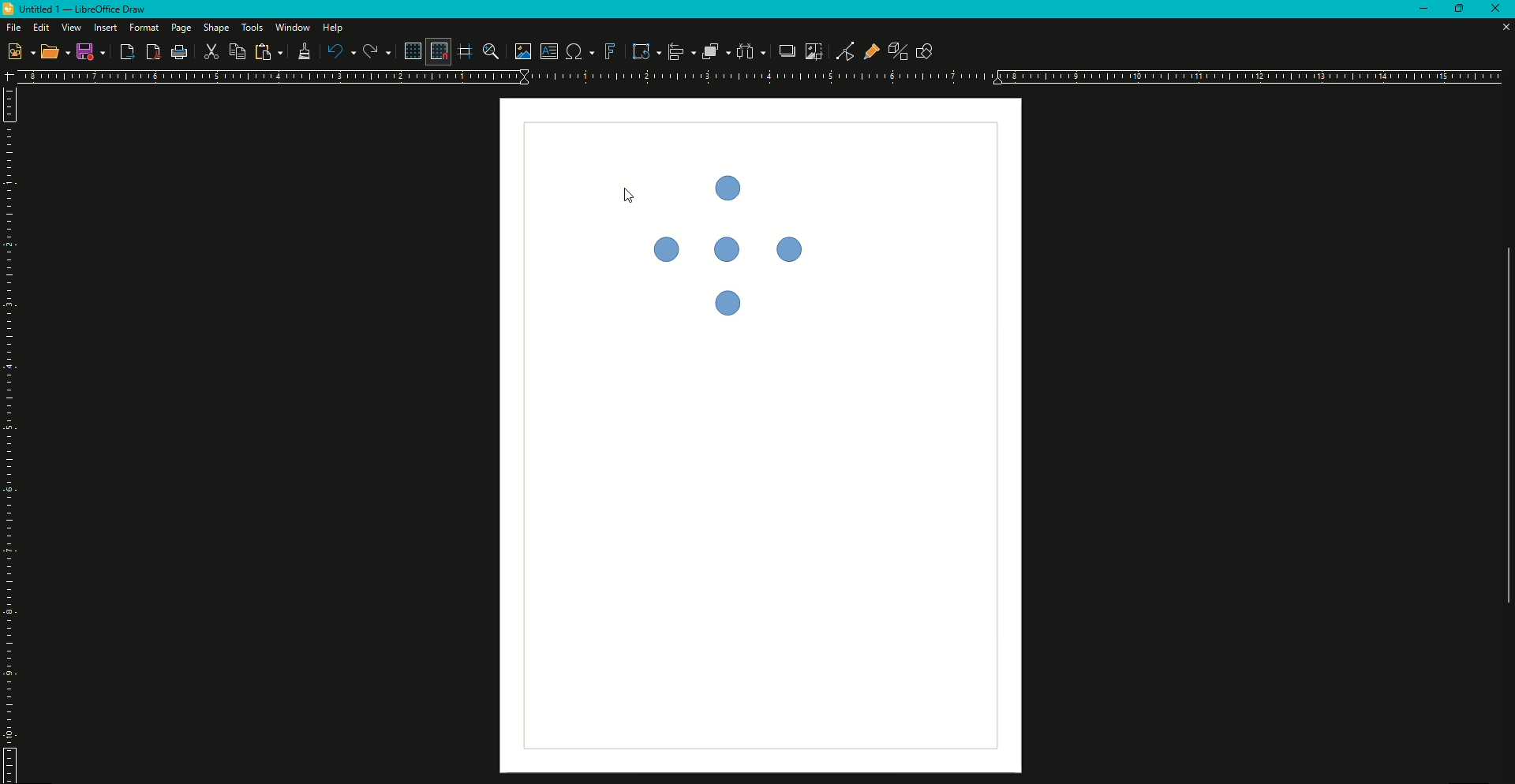  What do you see at coordinates (1504, 28) in the screenshot?
I see `Close` at bounding box center [1504, 28].